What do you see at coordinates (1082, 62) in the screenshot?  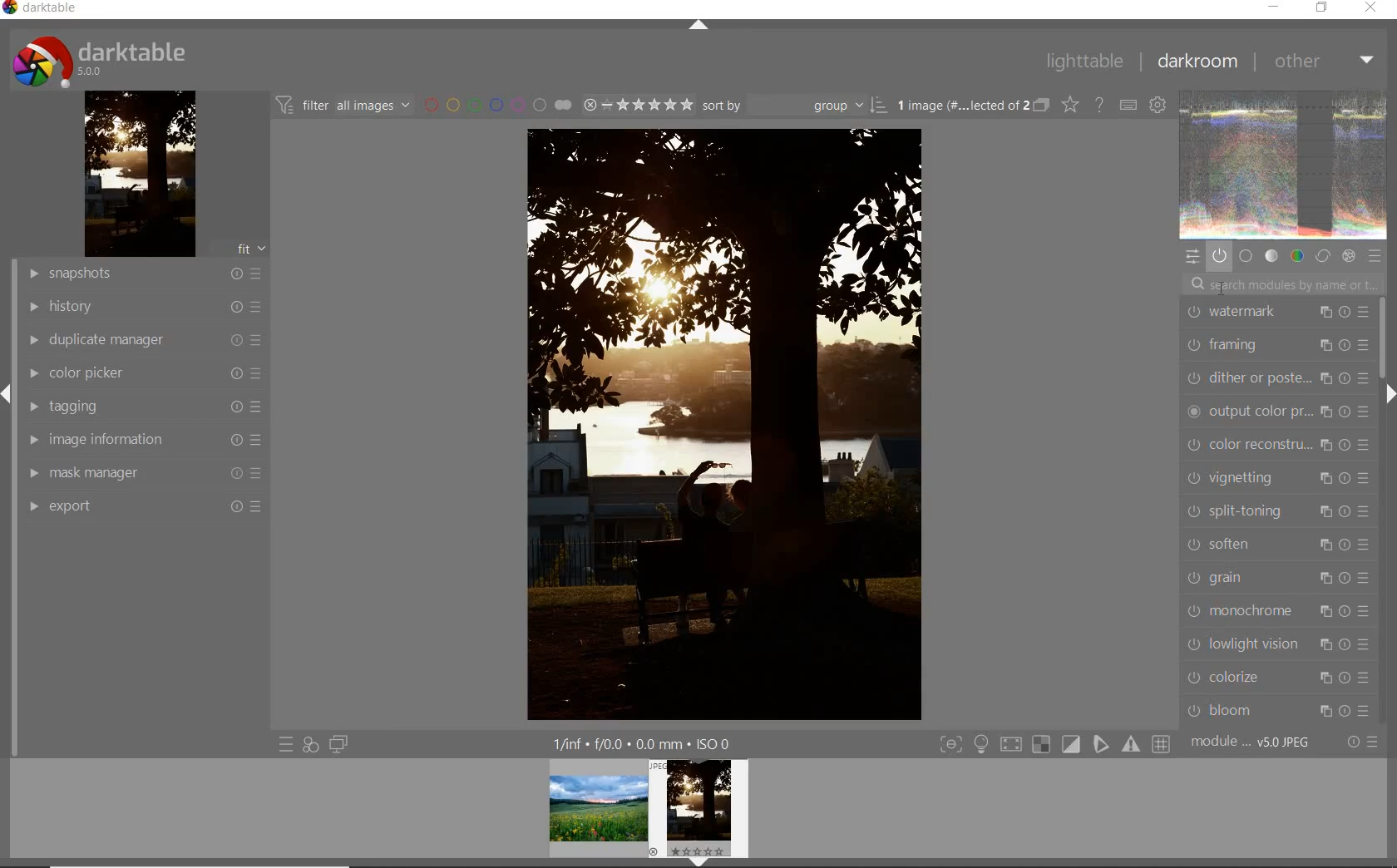 I see `lighttable` at bounding box center [1082, 62].